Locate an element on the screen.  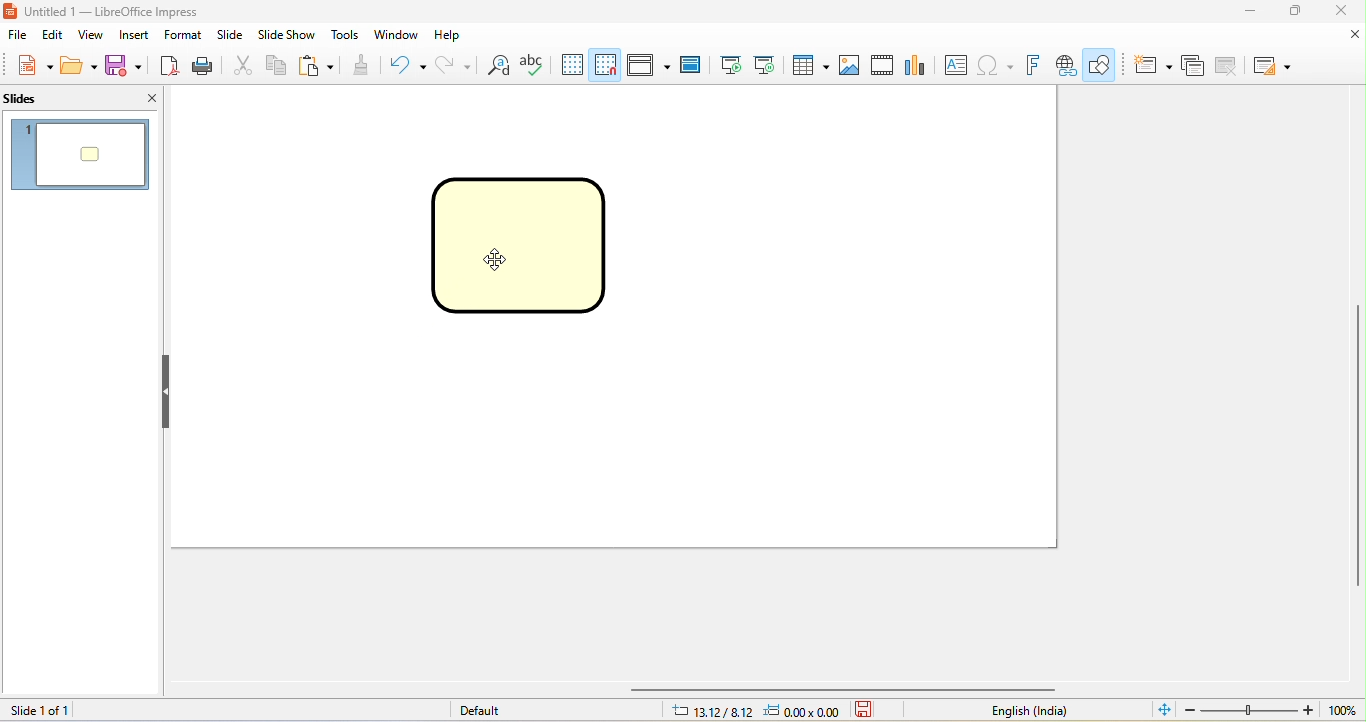
close is located at coordinates (1345, 11).